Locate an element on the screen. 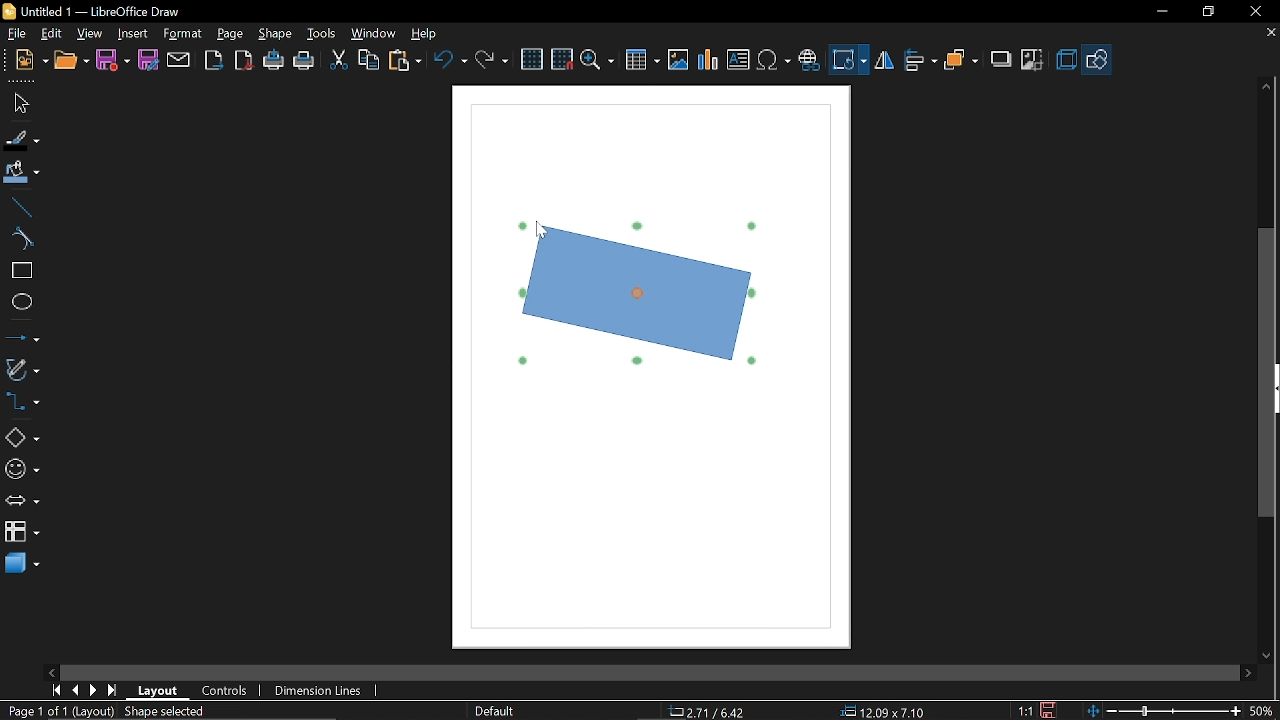 The height and width of the screenshot is (720, 1280). close is located at coordinates (1254, 11).